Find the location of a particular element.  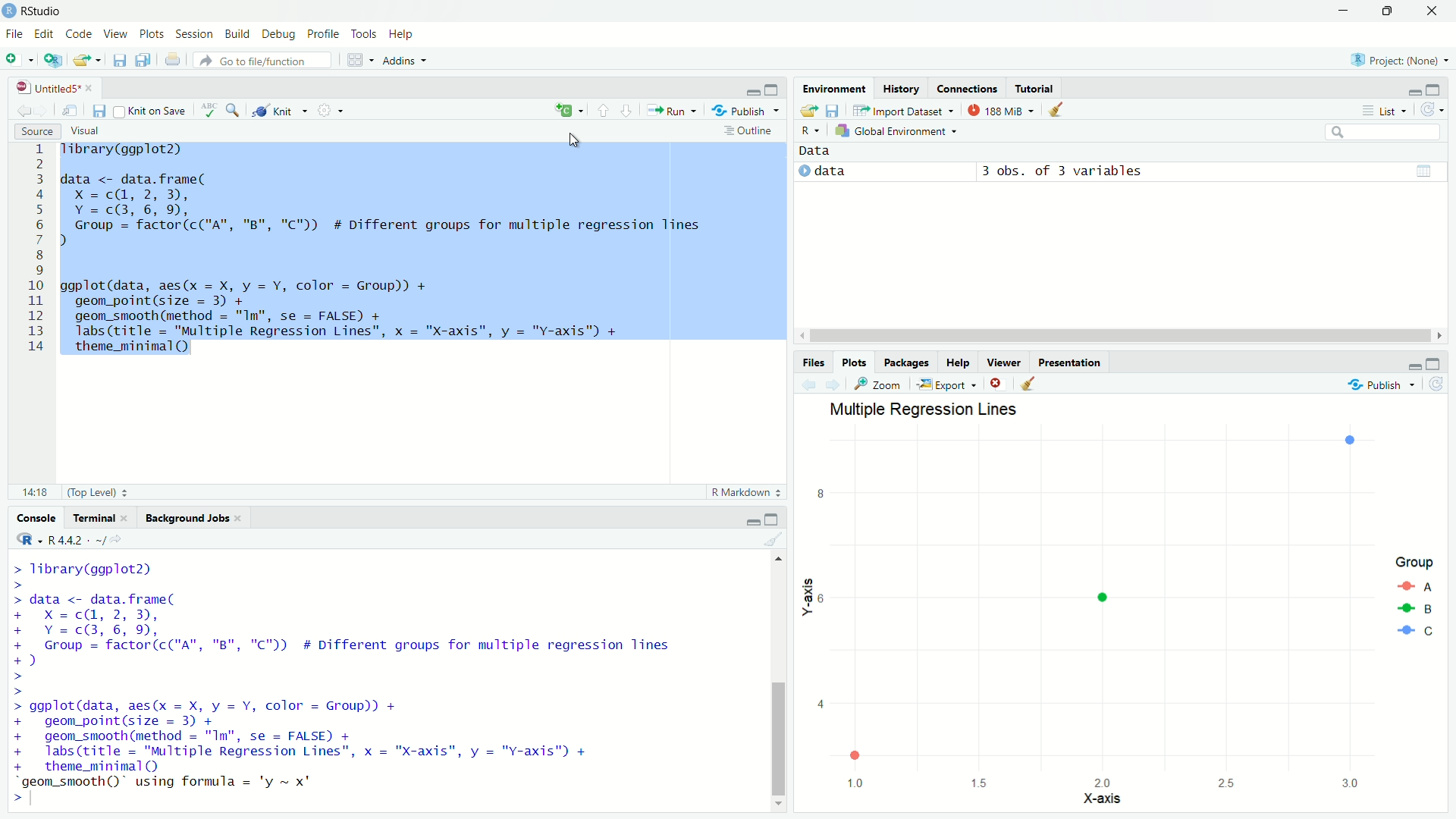

minimise is located at coordinates (742, 520).